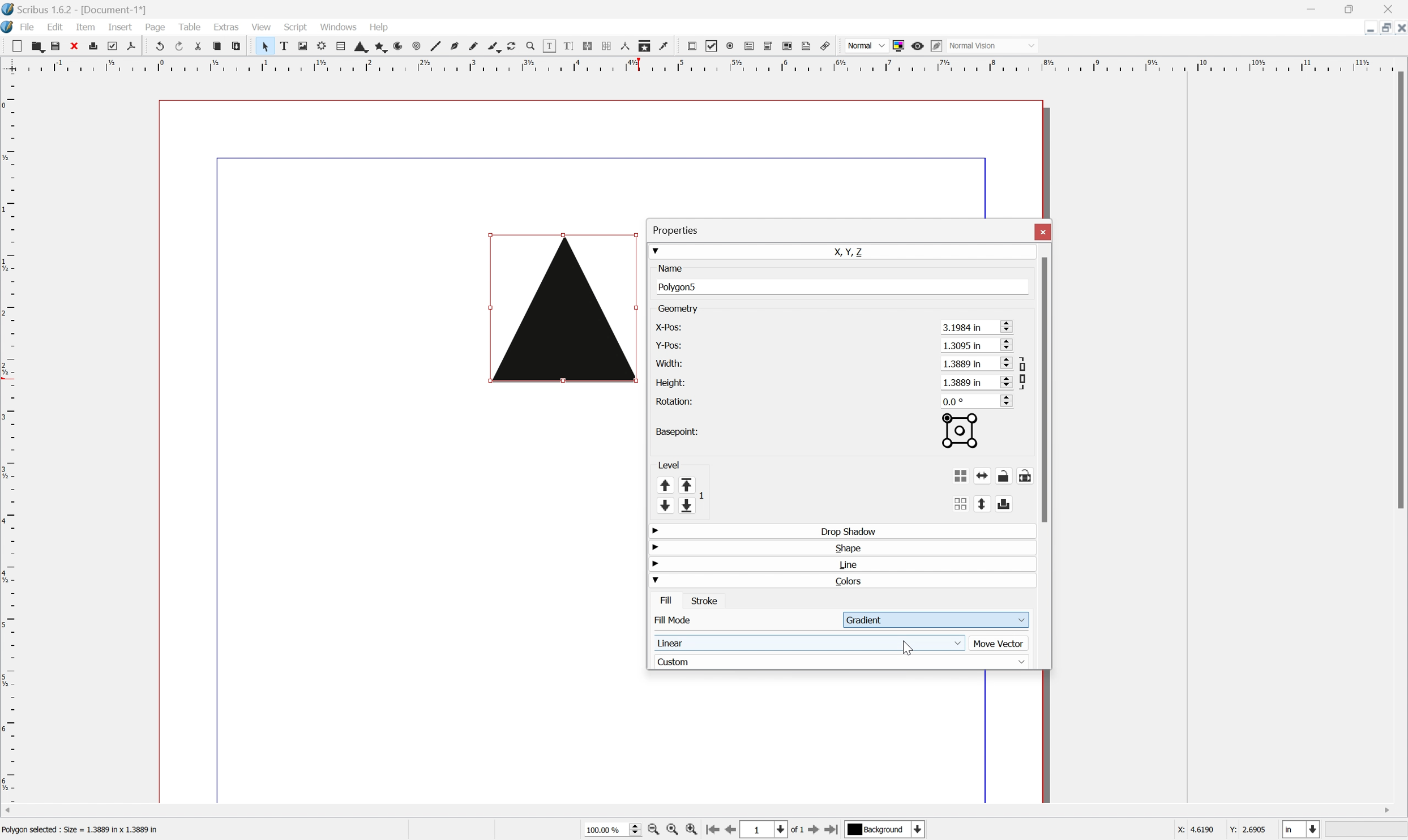 The height and width of the screenshot is (840, 1408). What do you see at coordinates (712, 44) in the screenshot?
I see `PDF checkbox` at bounding box center [712, 44].